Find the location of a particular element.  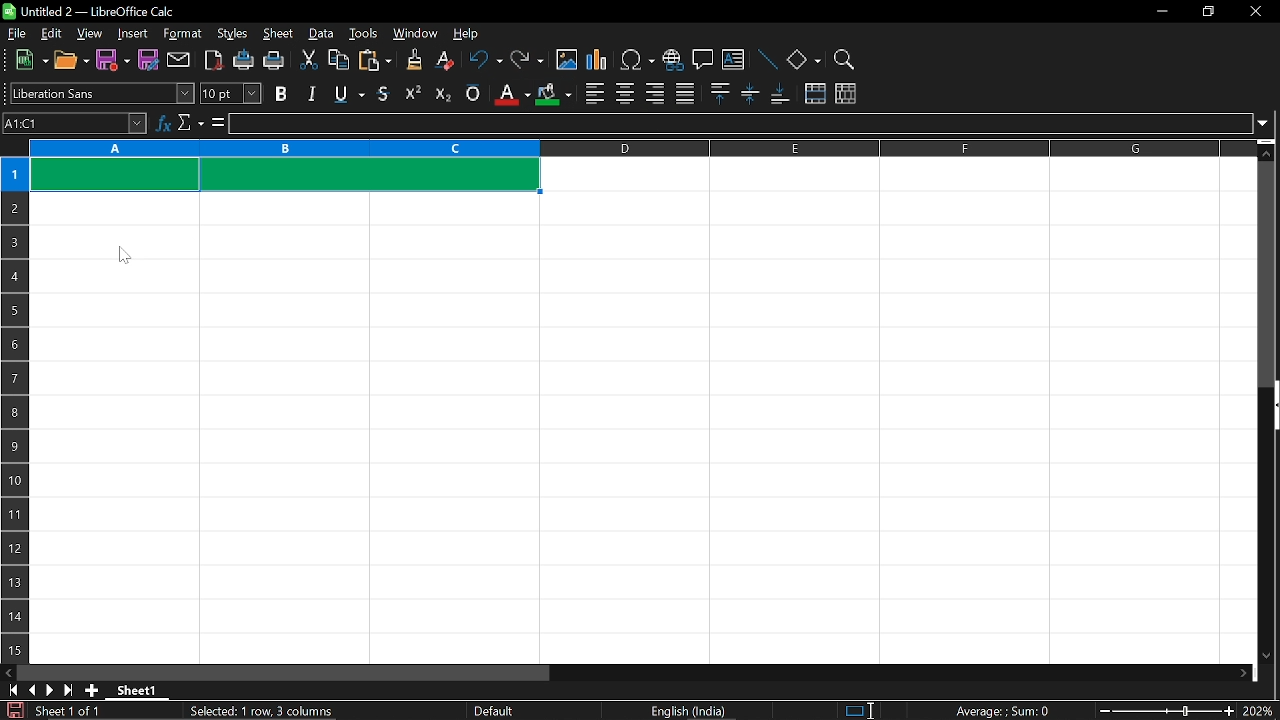

print is located at coordinates (275, 61).